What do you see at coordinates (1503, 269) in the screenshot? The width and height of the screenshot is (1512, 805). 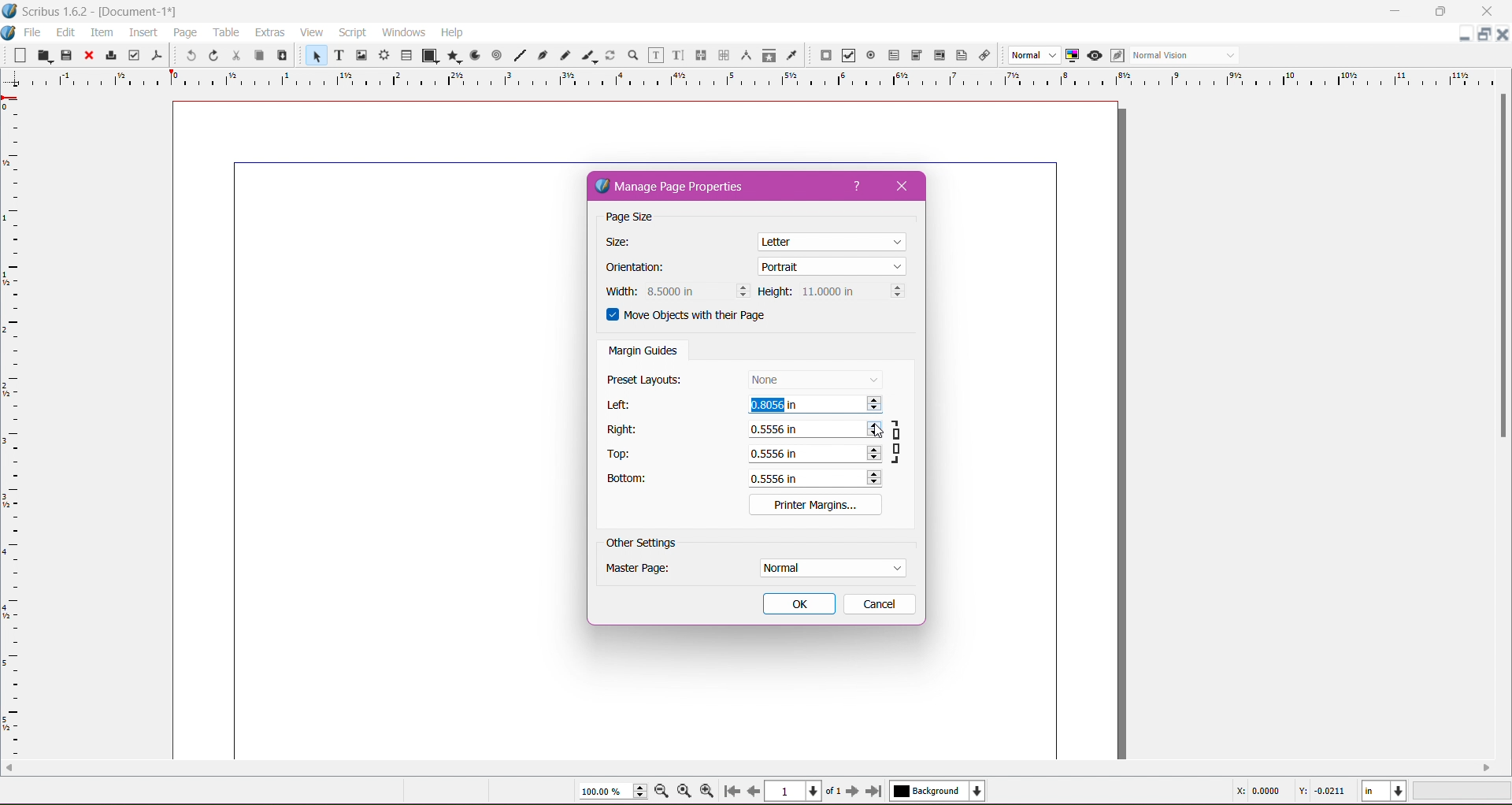 I see `Vertical Scroll Bar` at bounding box center [1503, 269].